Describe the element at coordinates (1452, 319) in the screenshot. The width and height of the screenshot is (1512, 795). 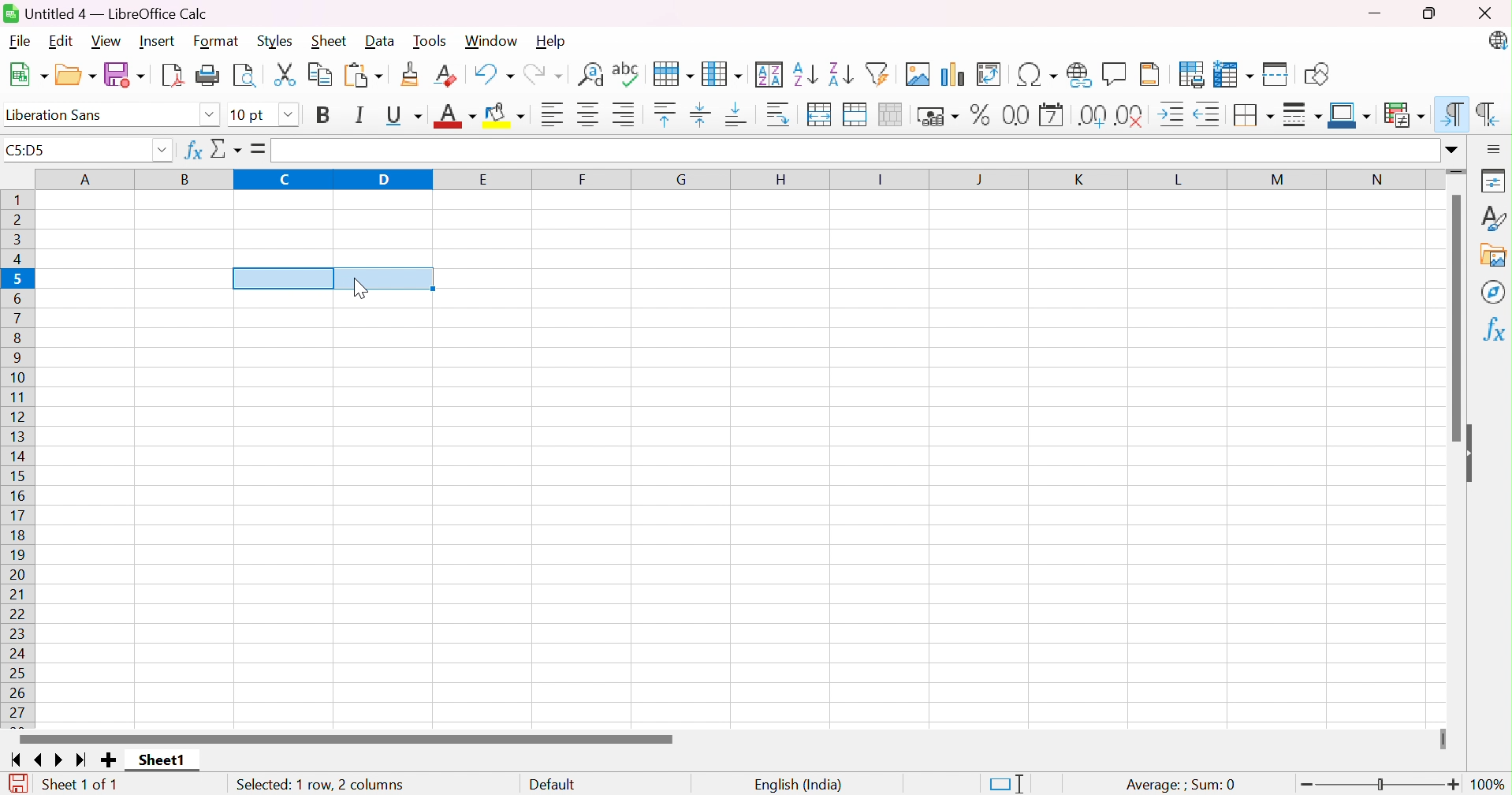
I see `Scroll Bar` at that location.